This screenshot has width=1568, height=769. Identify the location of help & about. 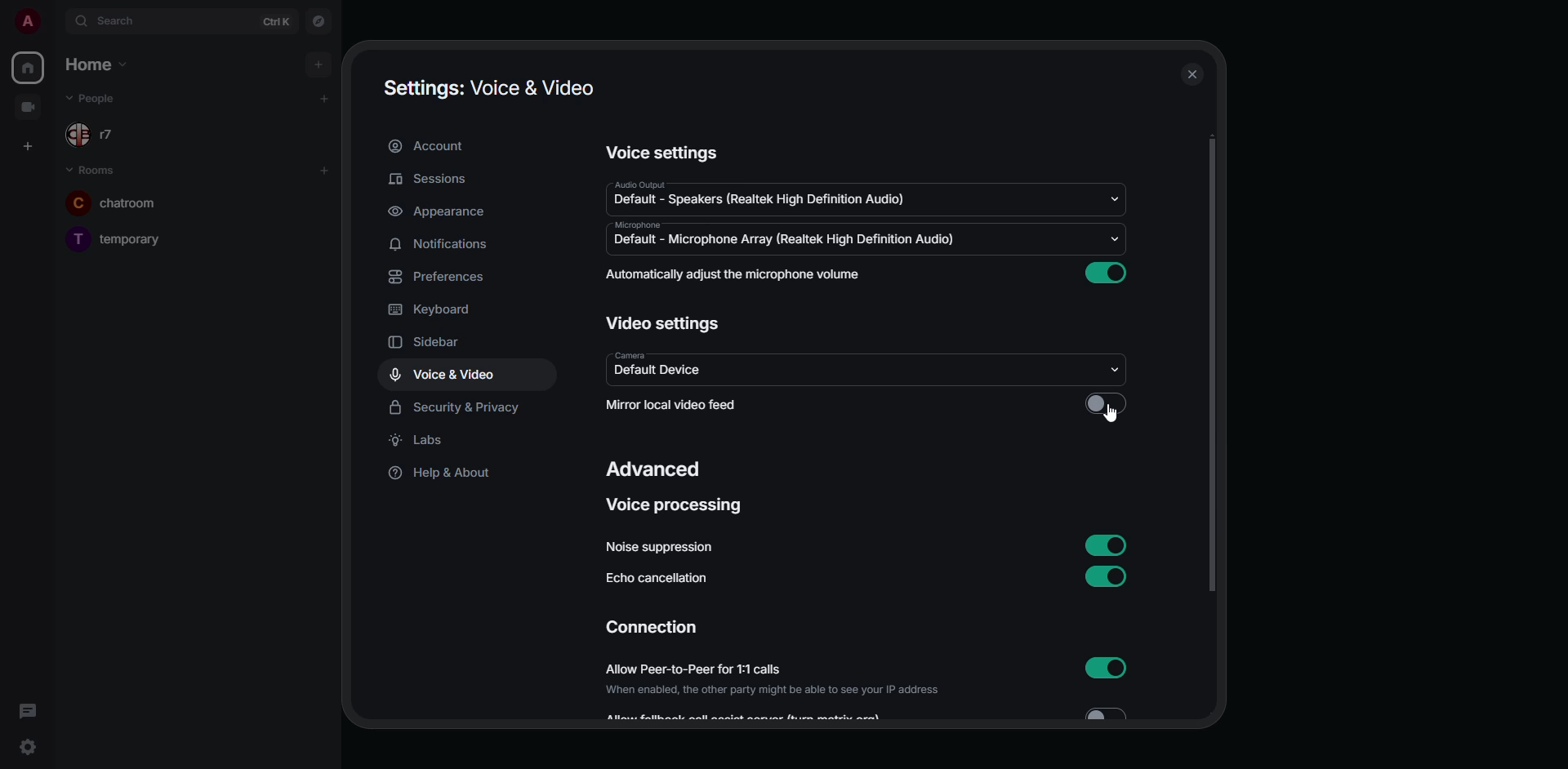
(443, 474).